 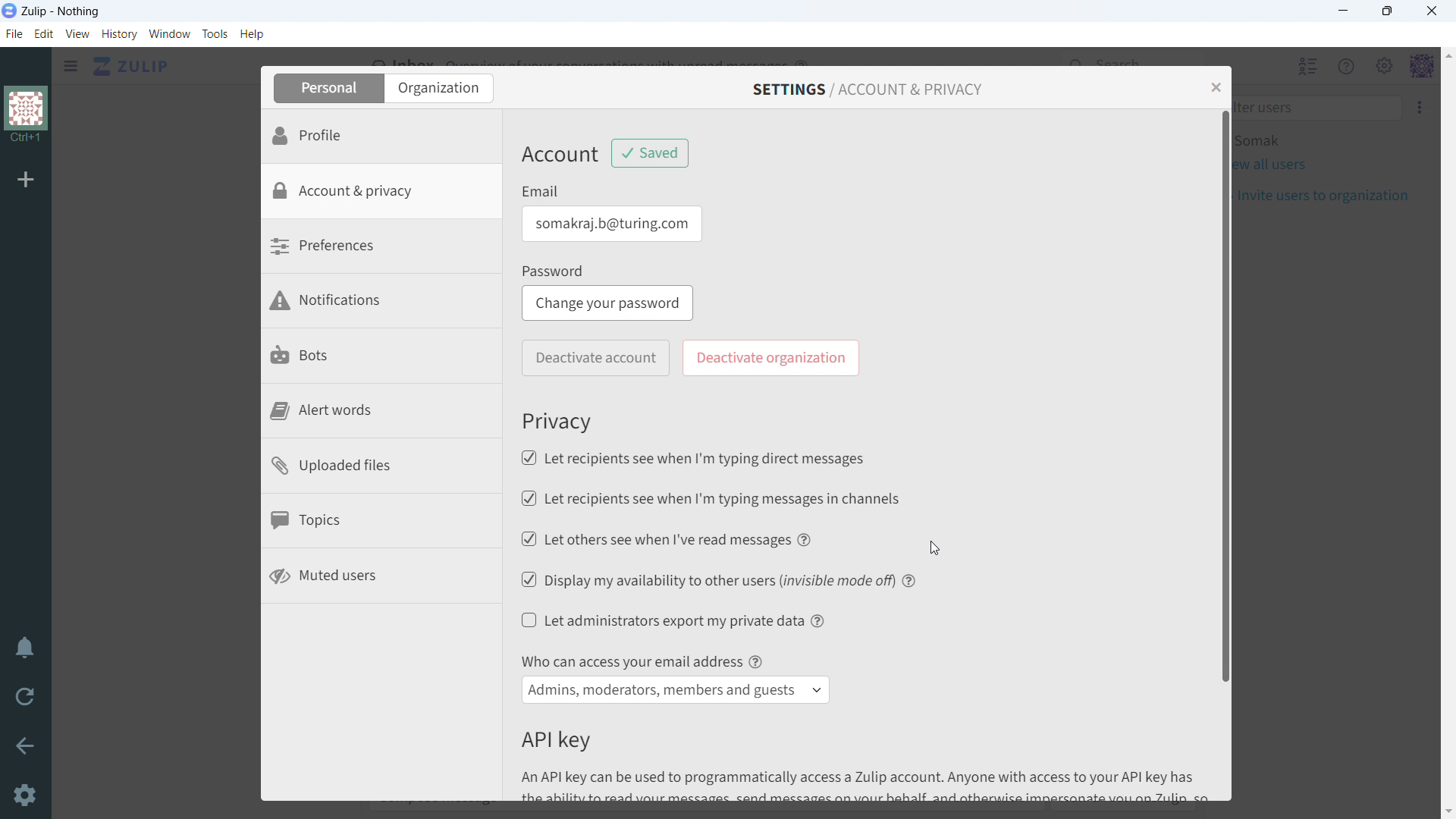 I want to click on settings, so click(x=27, y=797).